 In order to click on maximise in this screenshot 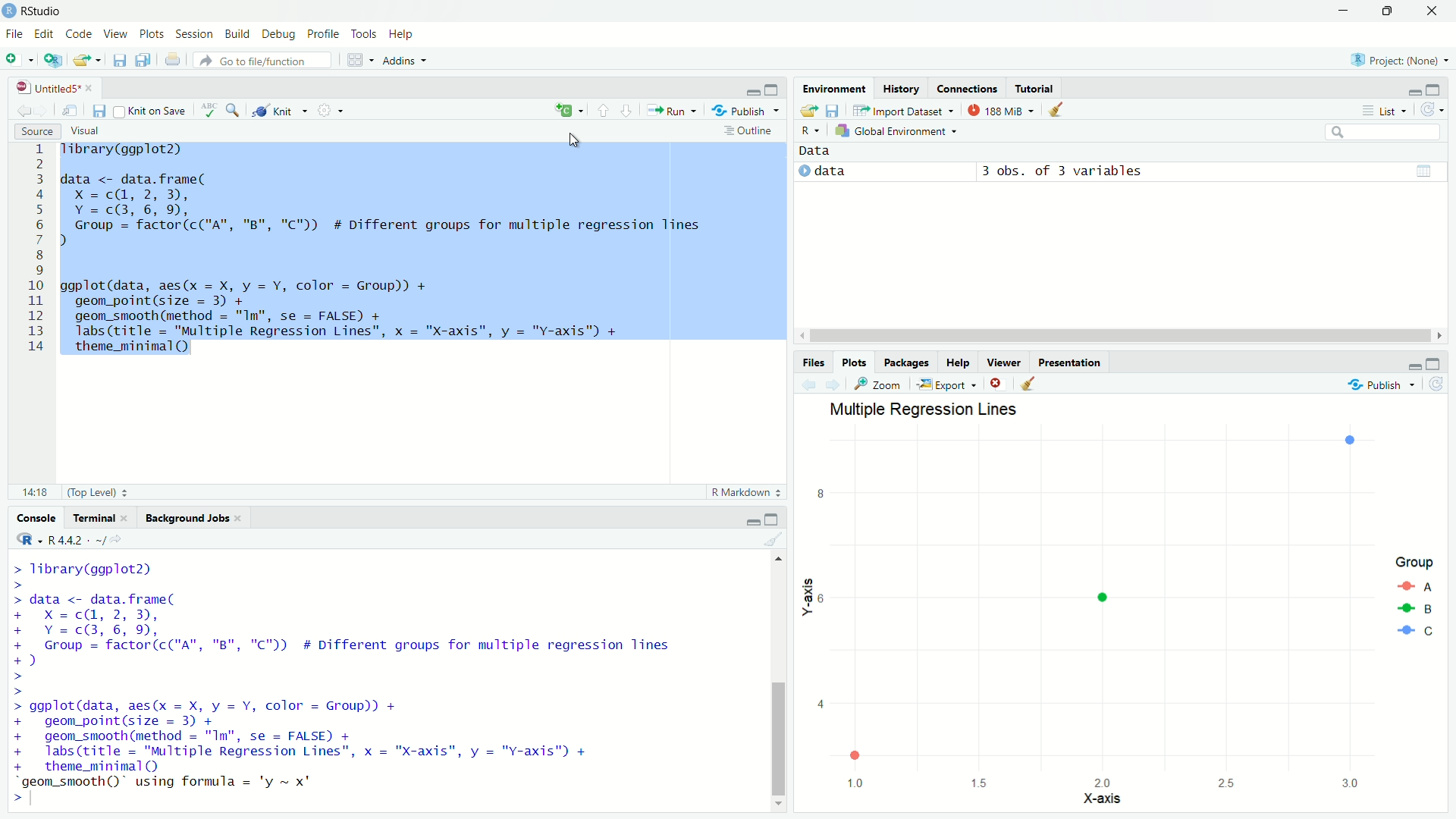, I will do `click(1439, 362)`.